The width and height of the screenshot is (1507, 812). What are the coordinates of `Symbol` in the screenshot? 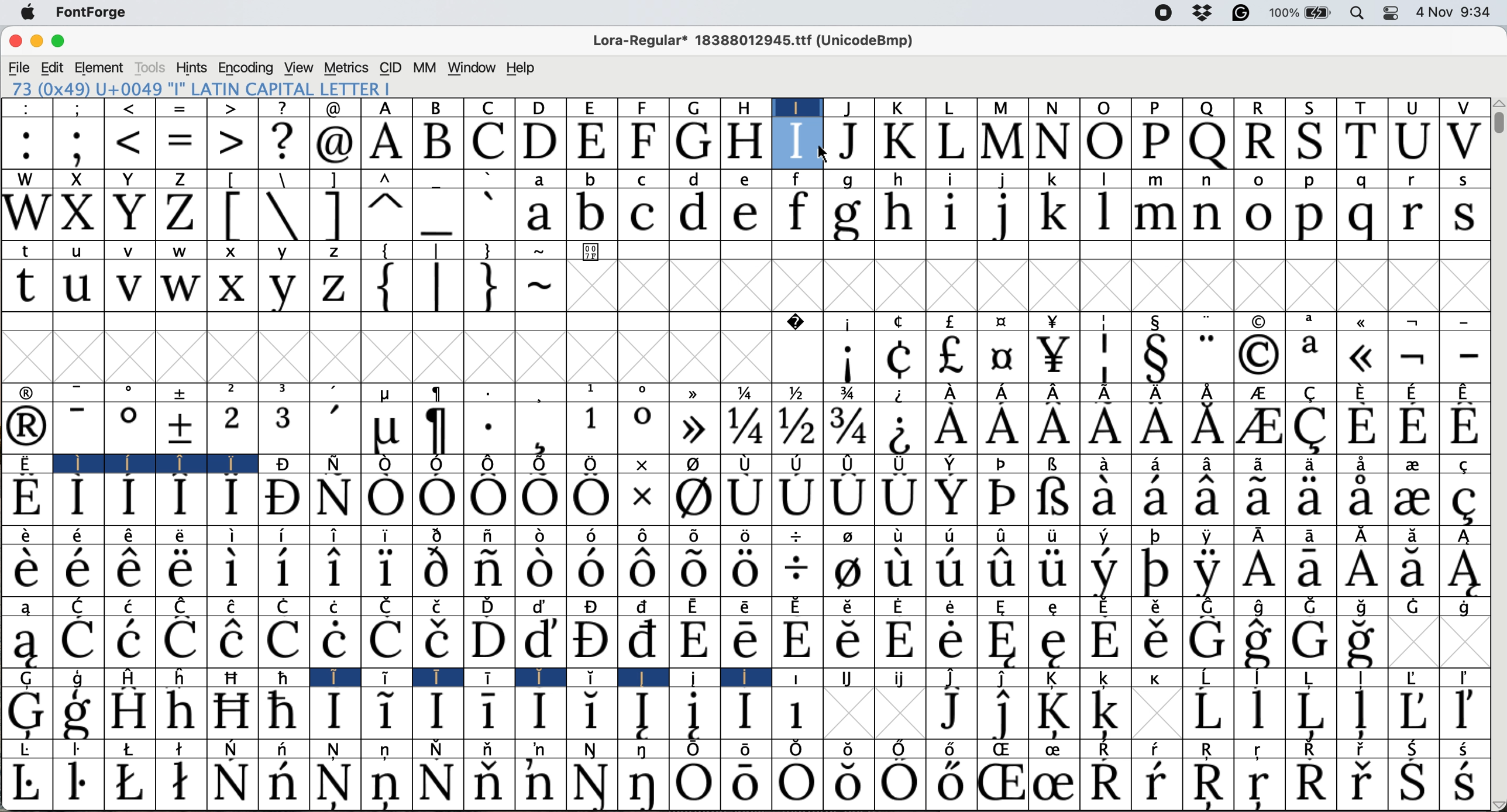 It's located at (436, 499).